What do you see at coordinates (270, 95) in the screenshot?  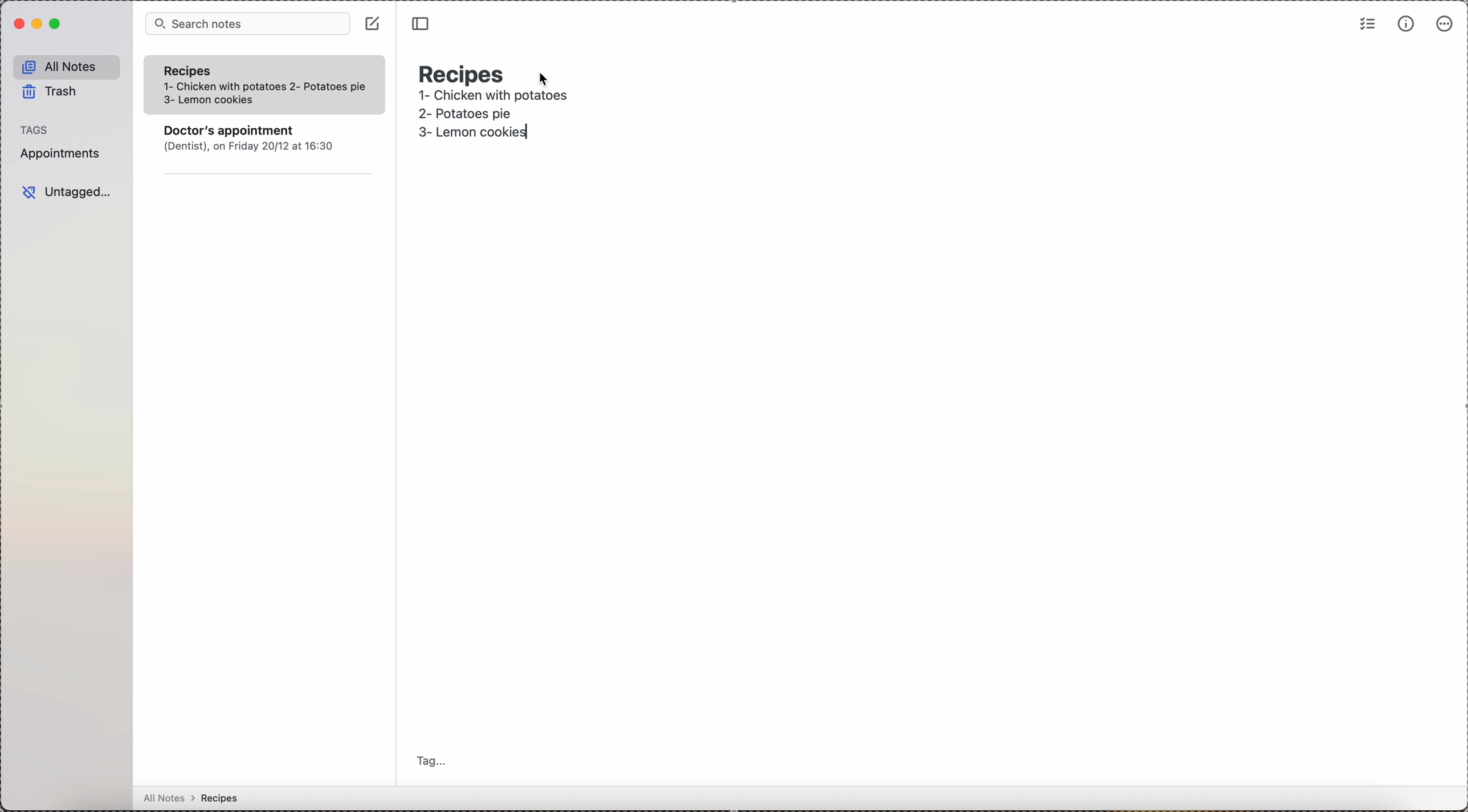 I see `1- Chicken with potatoes 2- Potatoes pie 3- Lemon cookies` at bounding box center [270, 95].